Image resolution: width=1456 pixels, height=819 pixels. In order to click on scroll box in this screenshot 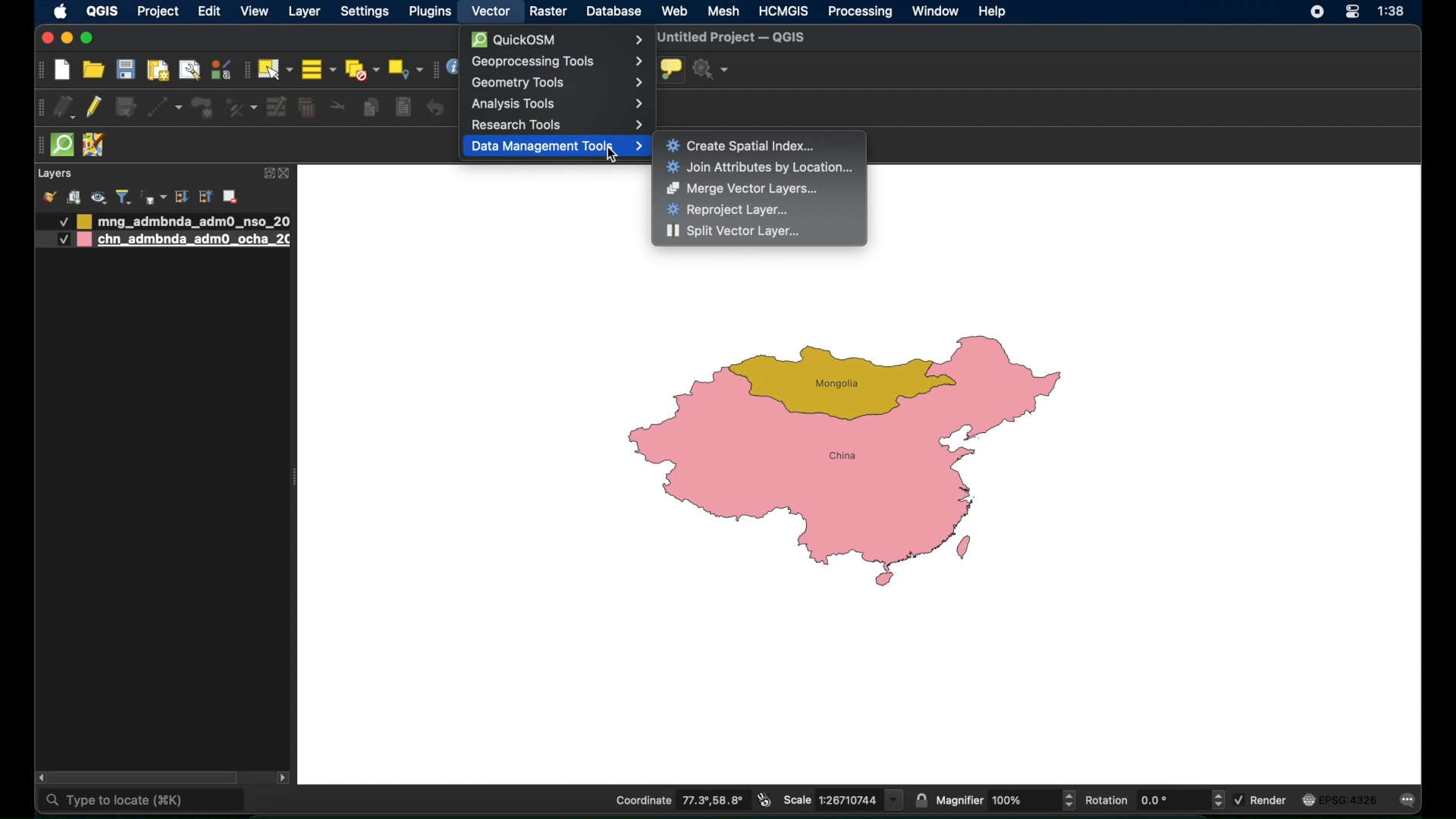, I will do `click(148, 777)`.